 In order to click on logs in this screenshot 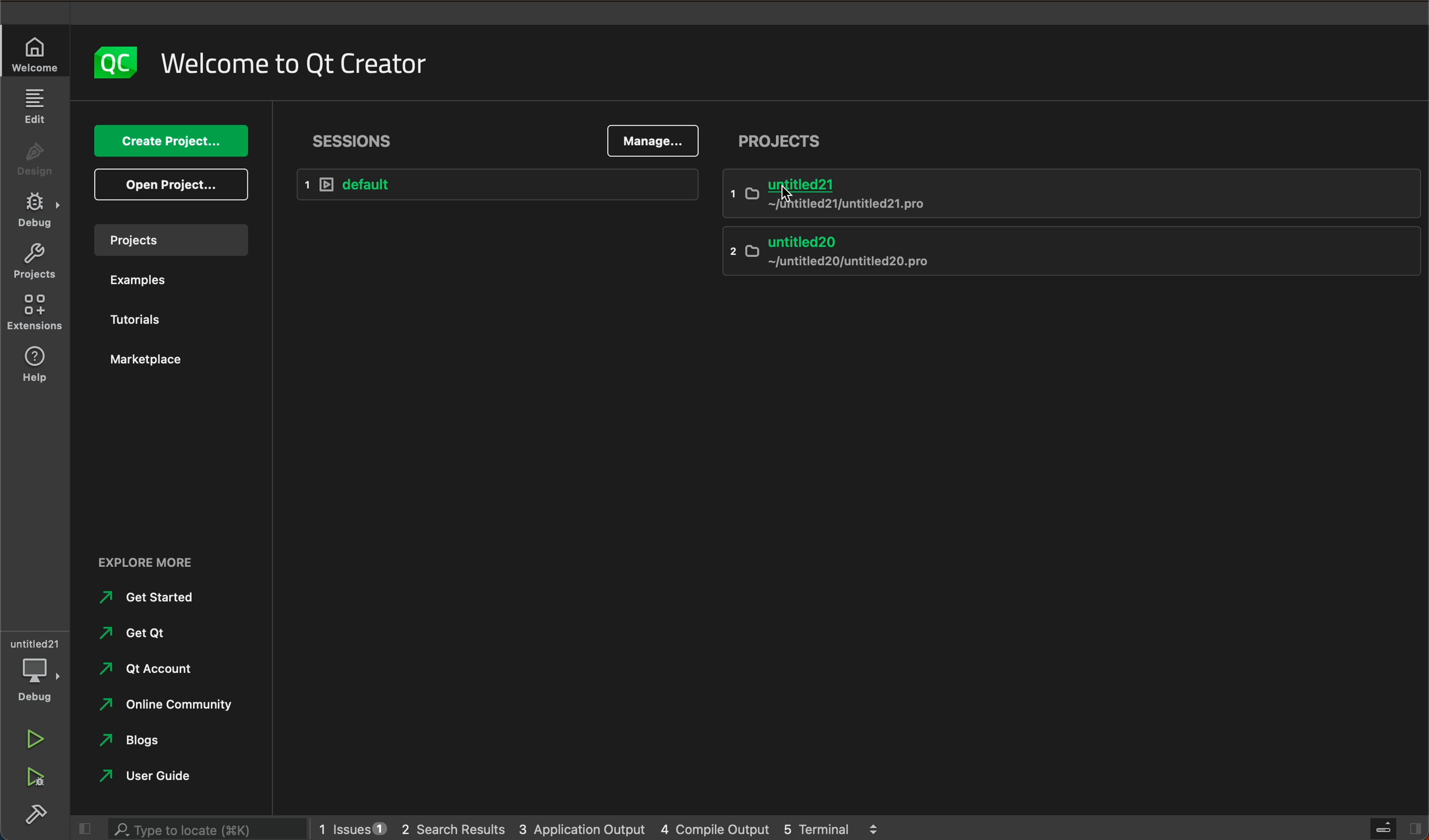, I will do `click(607, 830)`.